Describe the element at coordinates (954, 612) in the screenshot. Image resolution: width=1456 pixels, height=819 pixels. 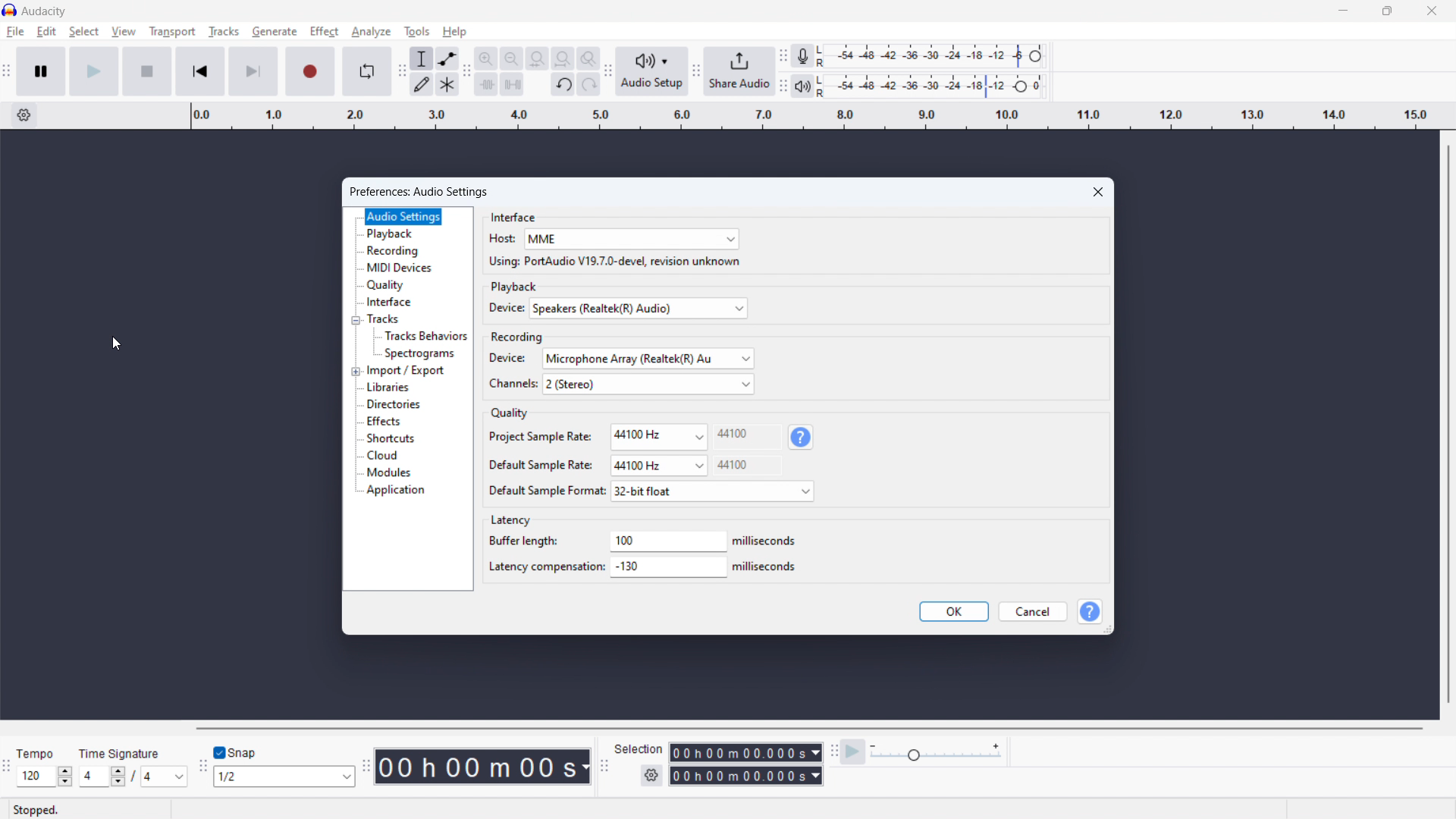
I see `ok` at that location.